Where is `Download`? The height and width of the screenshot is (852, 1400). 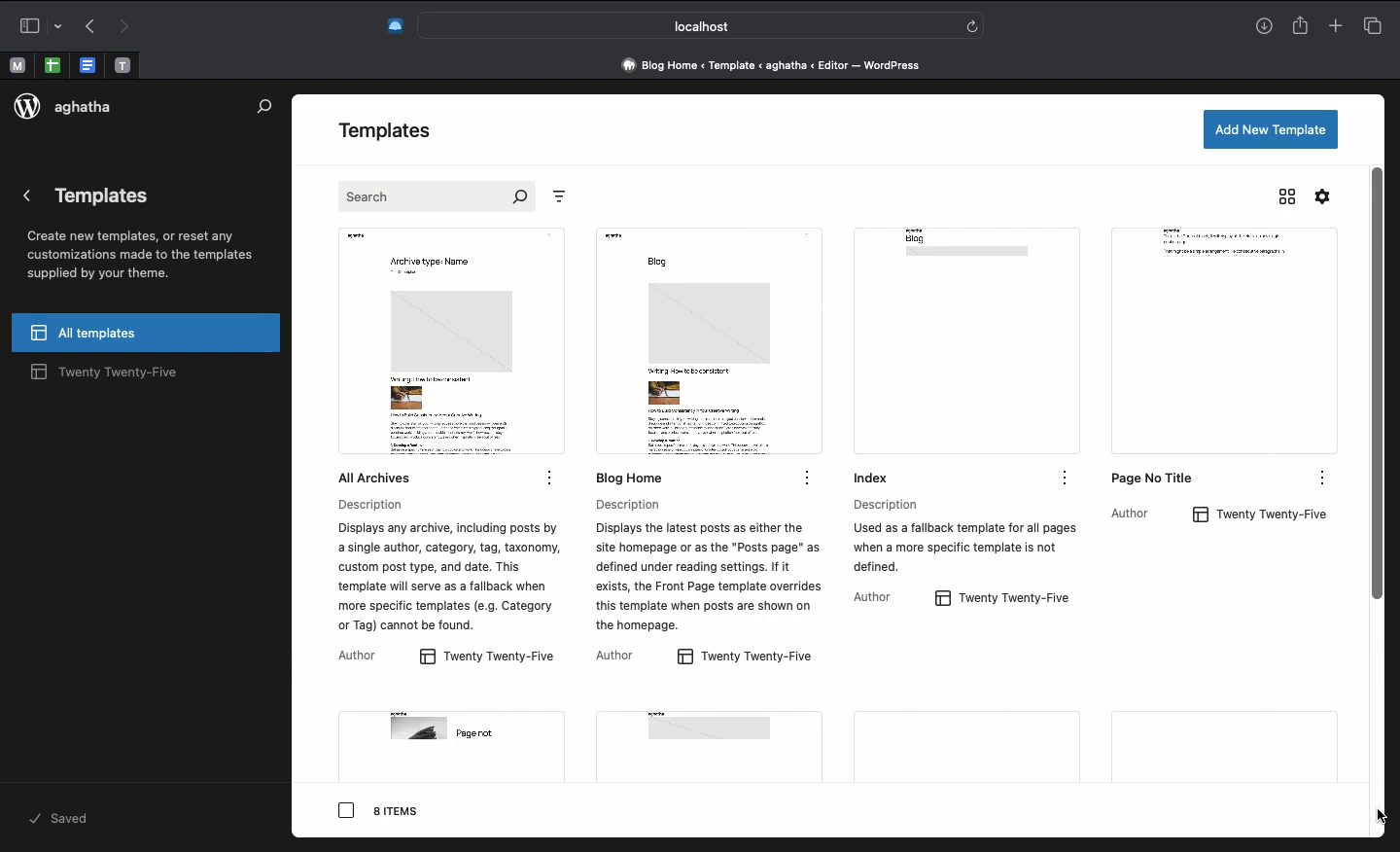 Download is located at coordinates (1261, 27).